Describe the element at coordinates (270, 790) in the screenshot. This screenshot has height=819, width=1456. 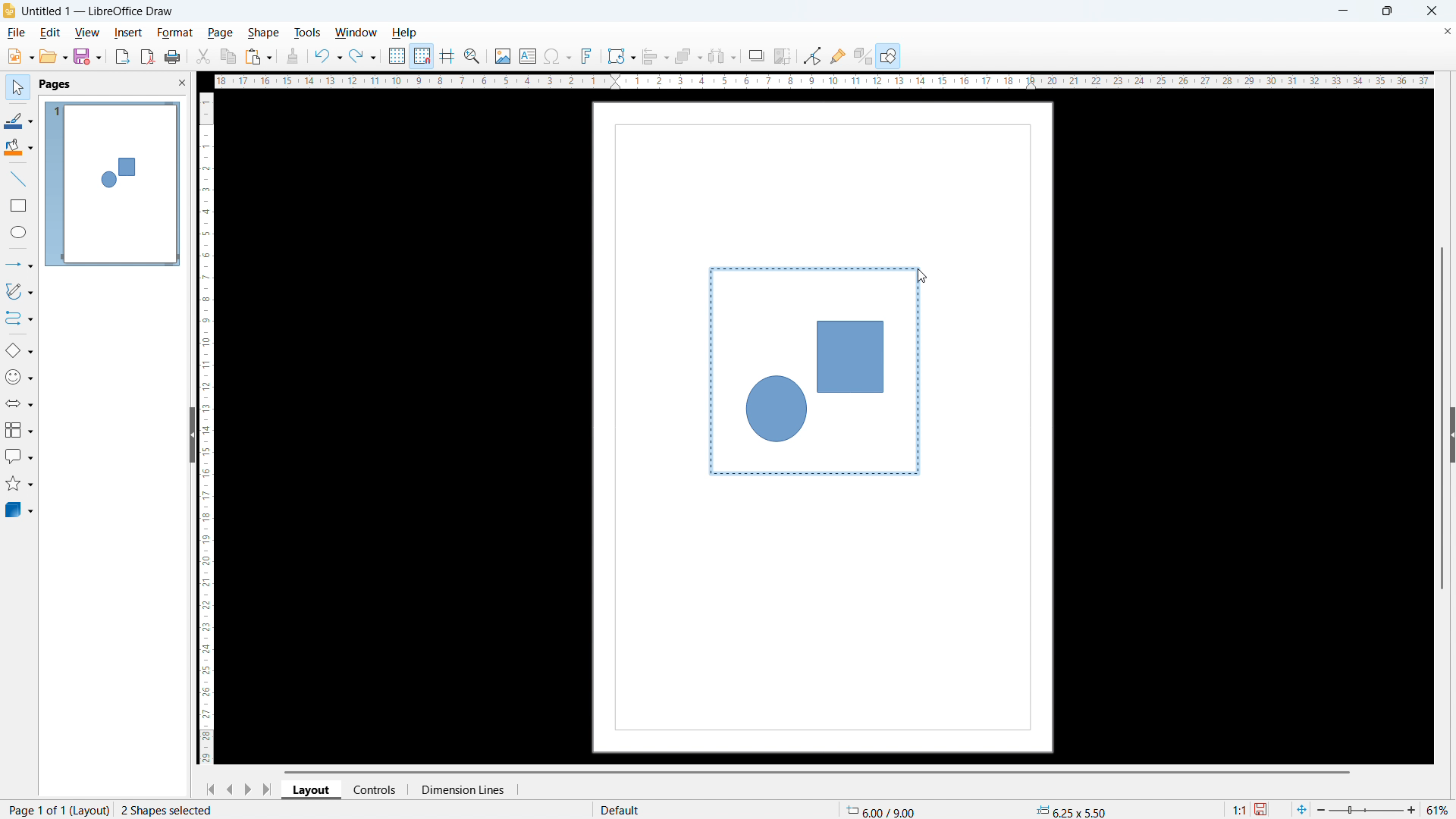
I see `go to last page` at that location.